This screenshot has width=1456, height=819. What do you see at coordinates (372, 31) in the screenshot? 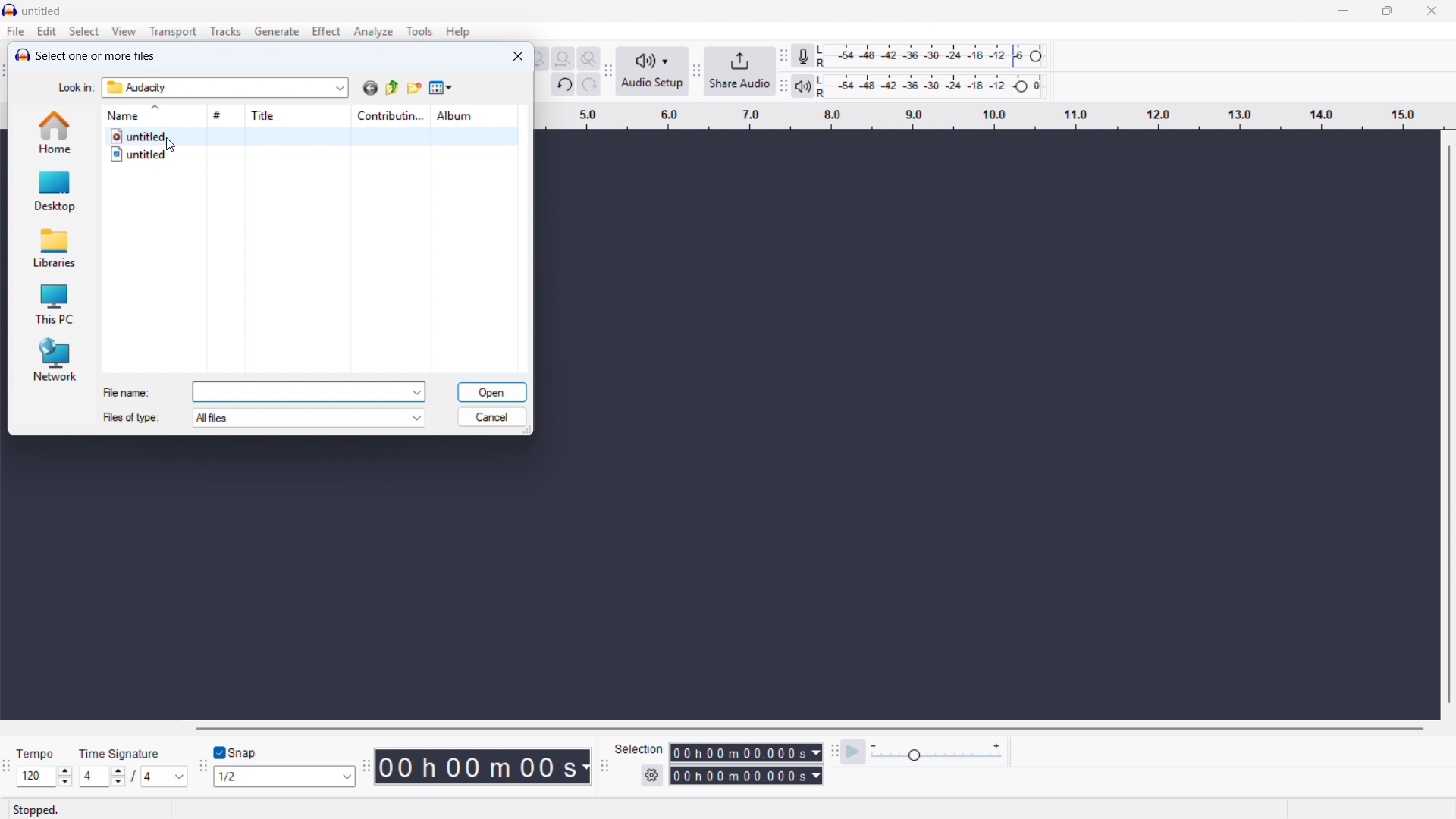
I see `Analyse ` at bounding box center [372, 31].